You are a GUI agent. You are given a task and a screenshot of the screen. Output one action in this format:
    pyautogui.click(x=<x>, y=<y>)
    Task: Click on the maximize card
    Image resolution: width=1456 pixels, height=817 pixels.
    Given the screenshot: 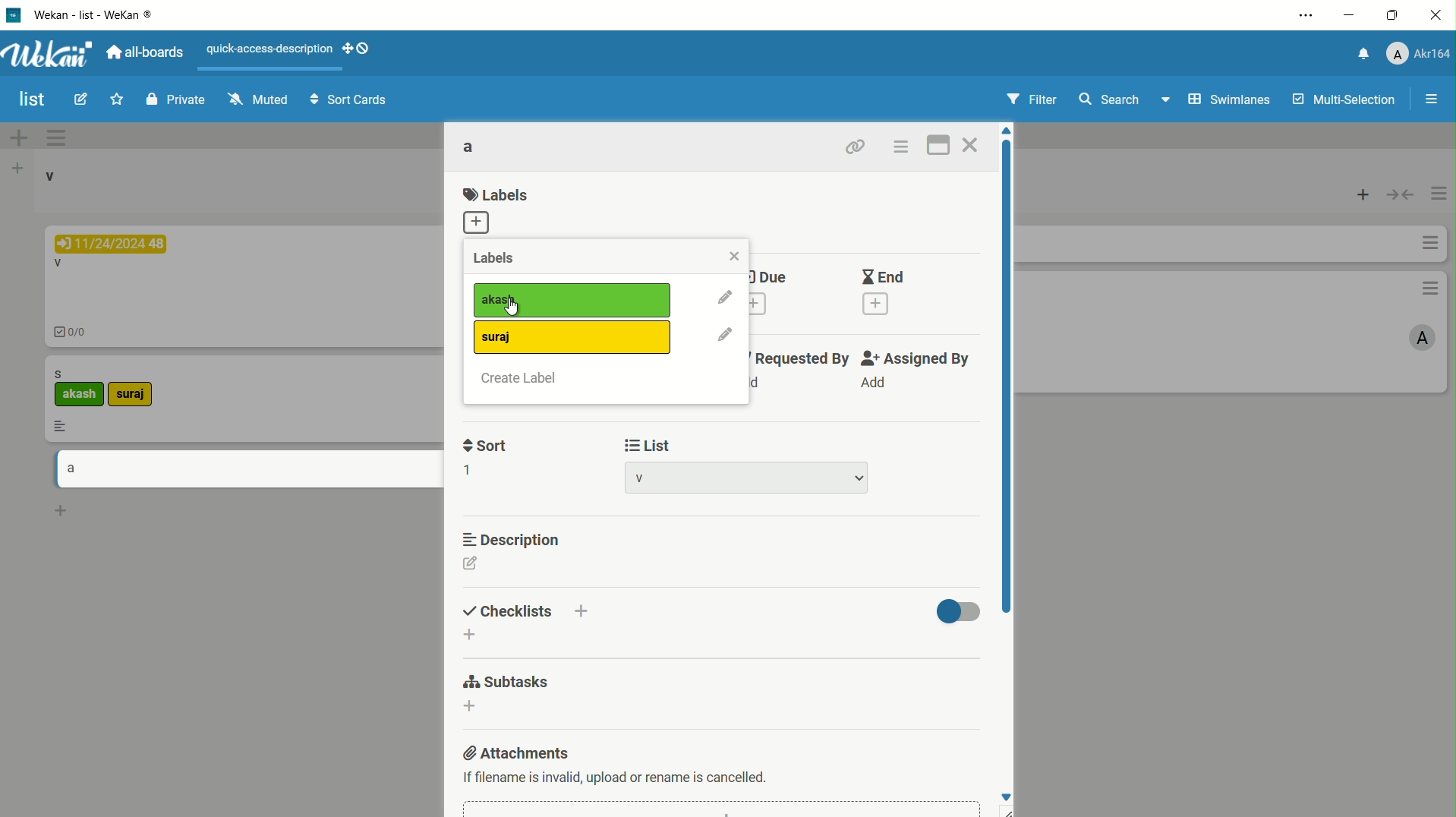 What is the action you would take?
    pyautogui.click(x=941, y=144)
    